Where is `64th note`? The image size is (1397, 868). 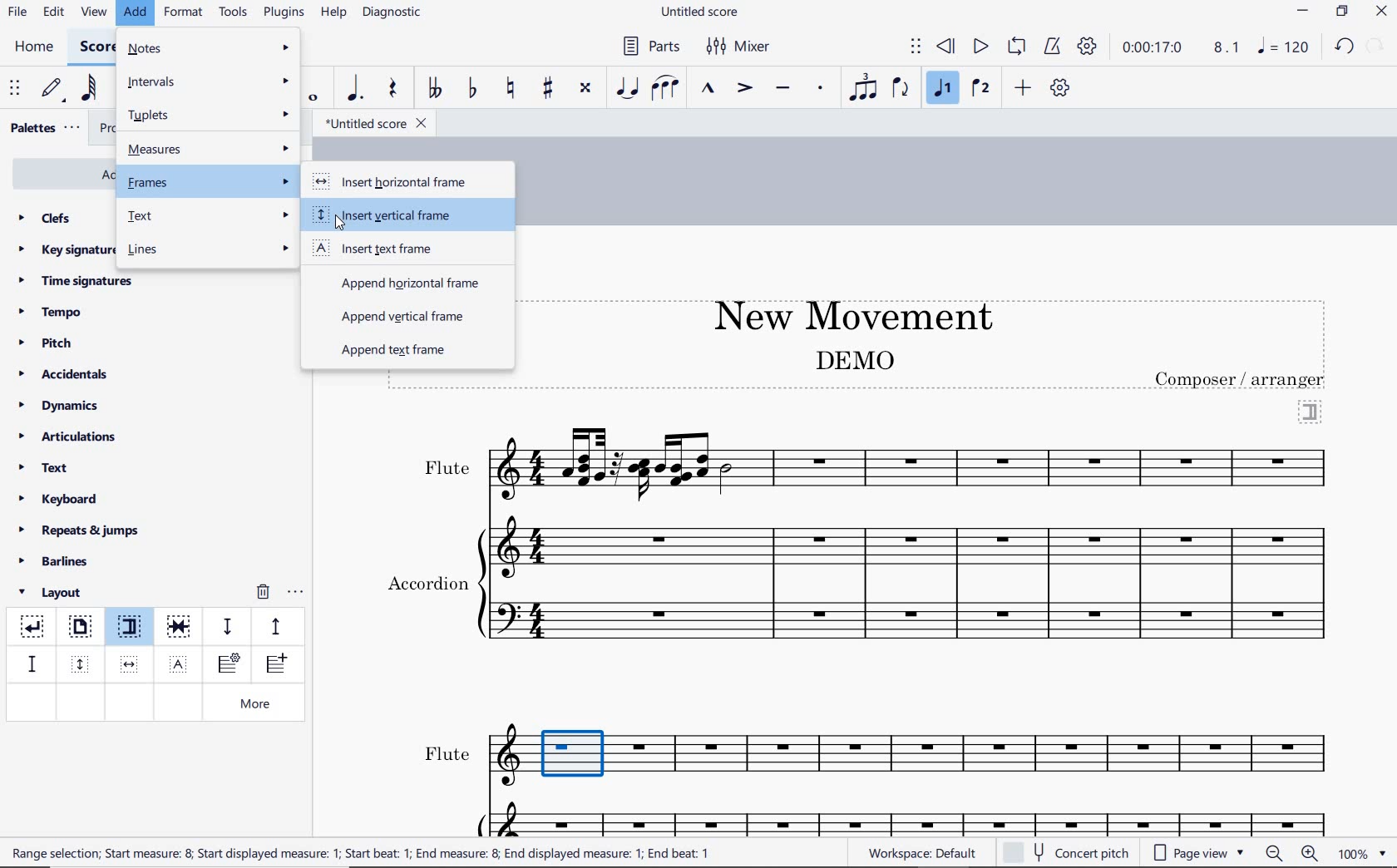 64th note is located at coordinates (91, 88).